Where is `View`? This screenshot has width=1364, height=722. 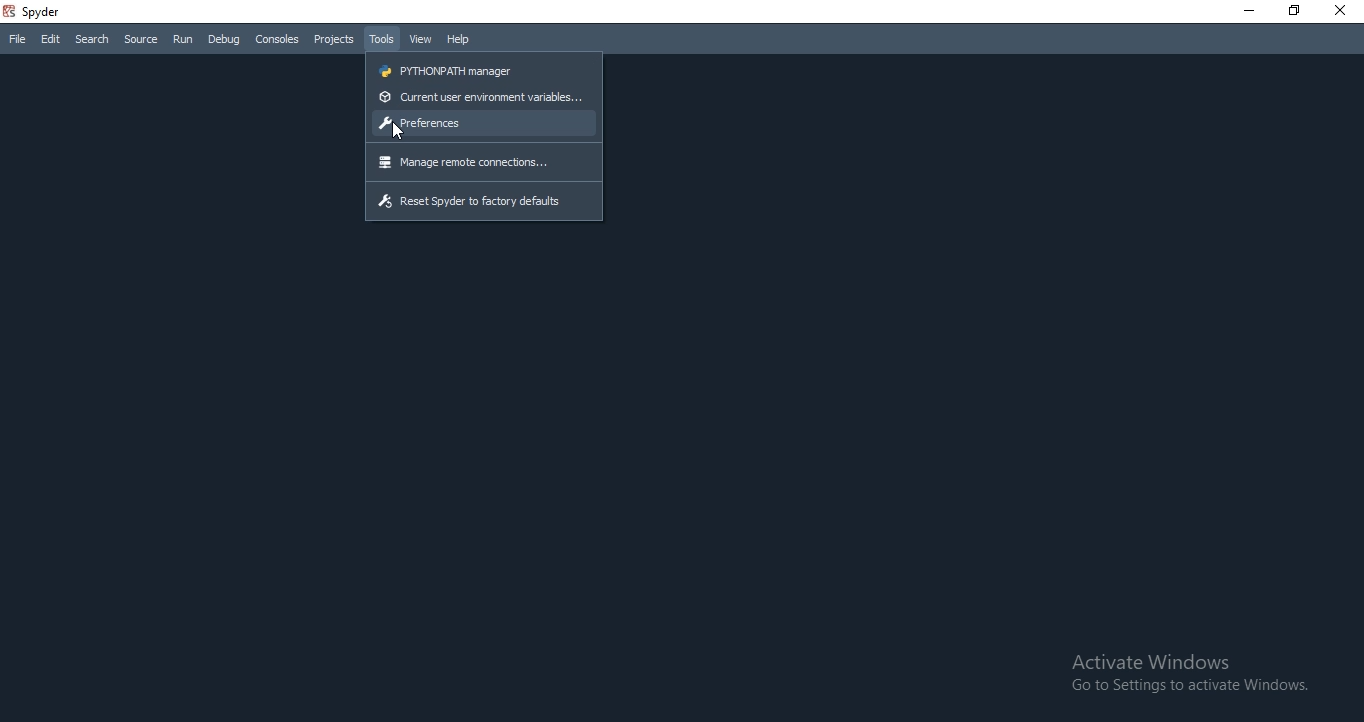
View is located at coordinates (419, 40).